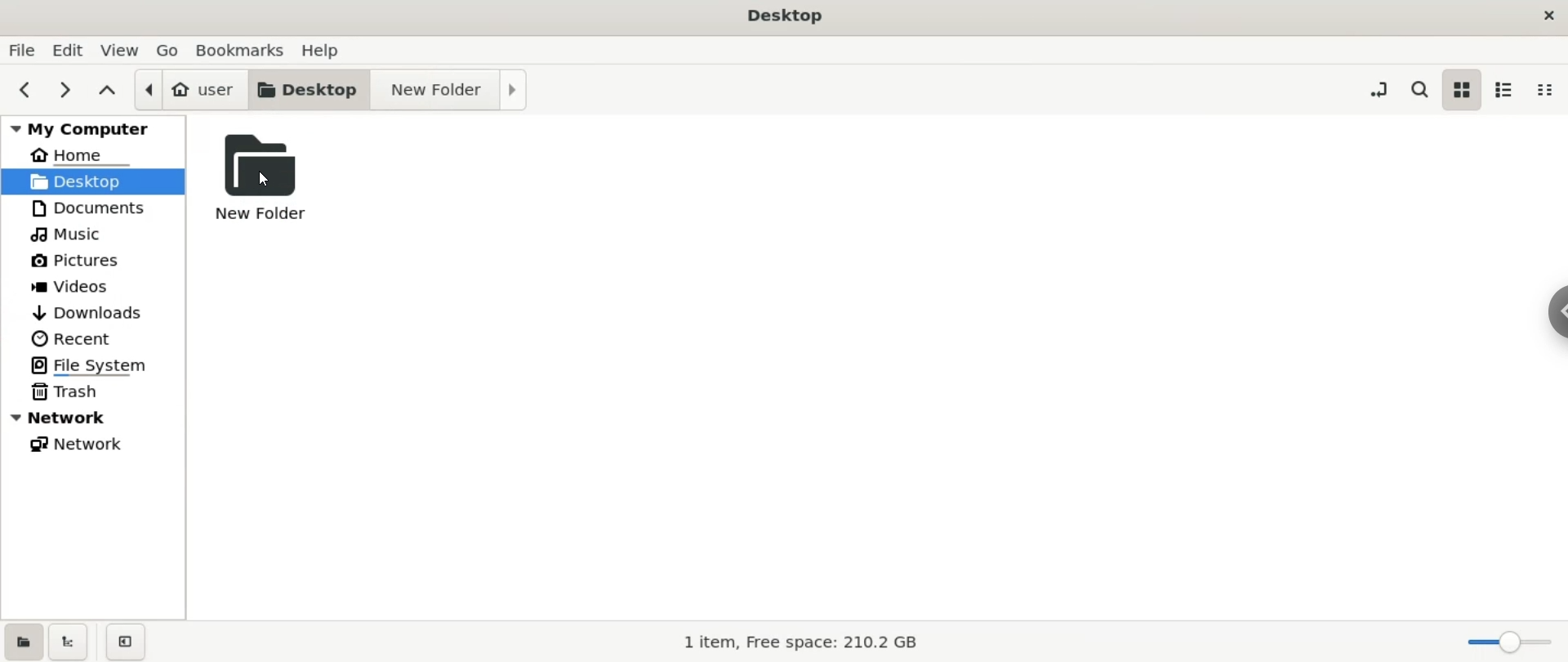  Describe the element at coordinates (243, 49) in the screenshot. I see `bookamrks` at that location.